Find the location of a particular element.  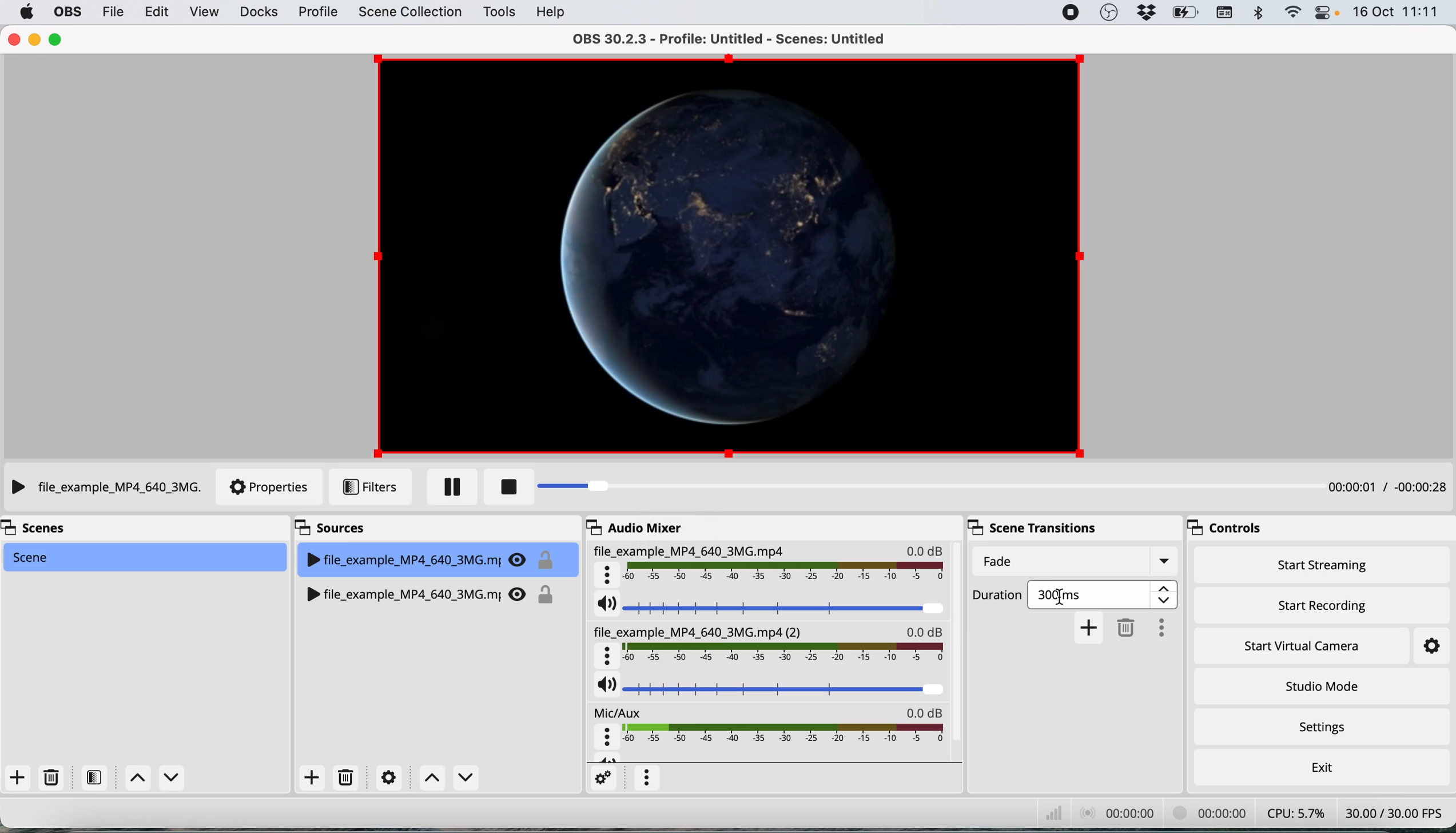

keyboard is located at coordinates (1228, 14).